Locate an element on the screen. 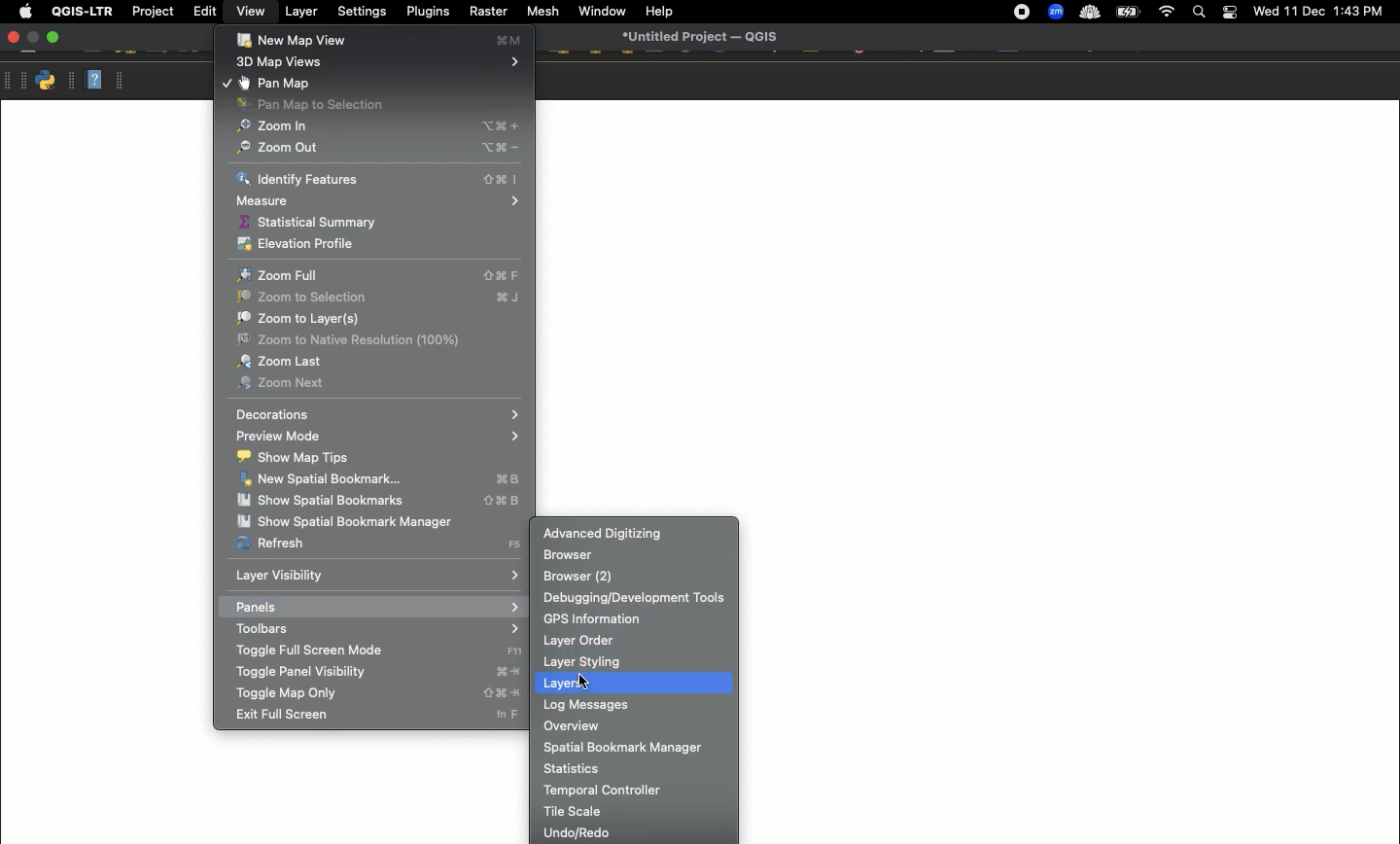 Image resolution: width=1400 pixels, height=844 pixels. 11 Dec is located at coordinates (1306, 14).